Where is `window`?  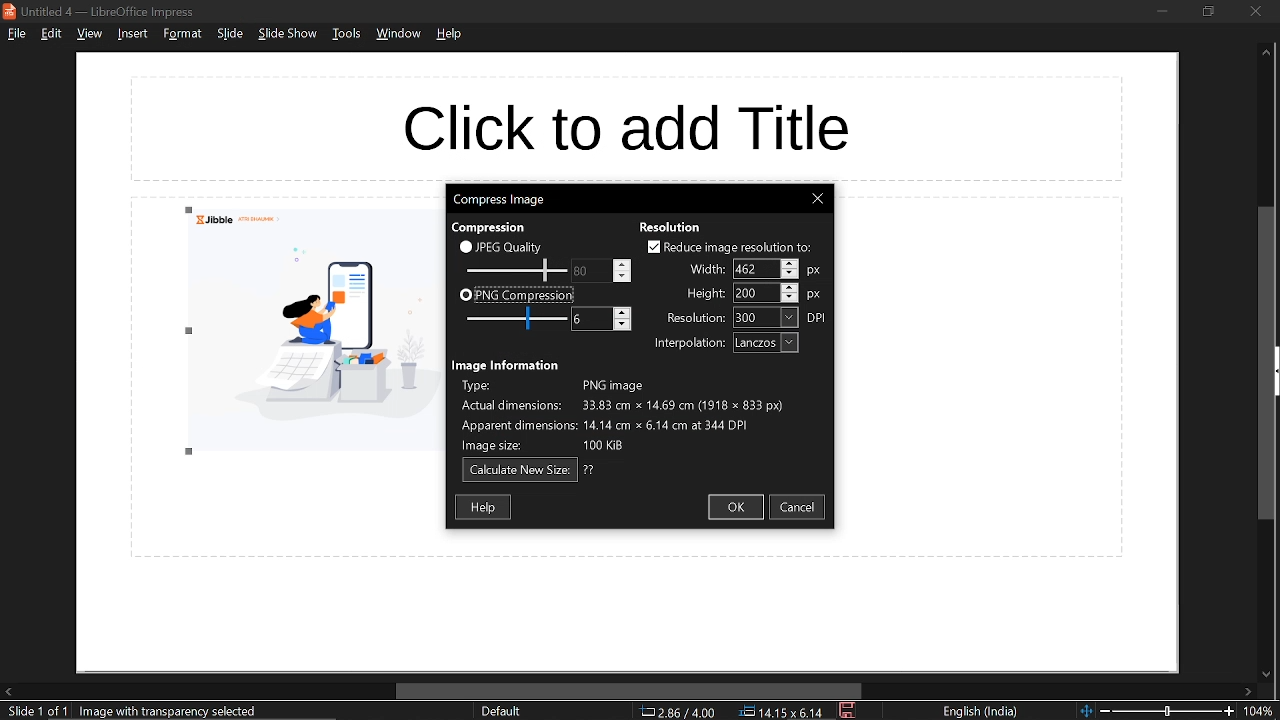
window is located at coordinates (401, 34).